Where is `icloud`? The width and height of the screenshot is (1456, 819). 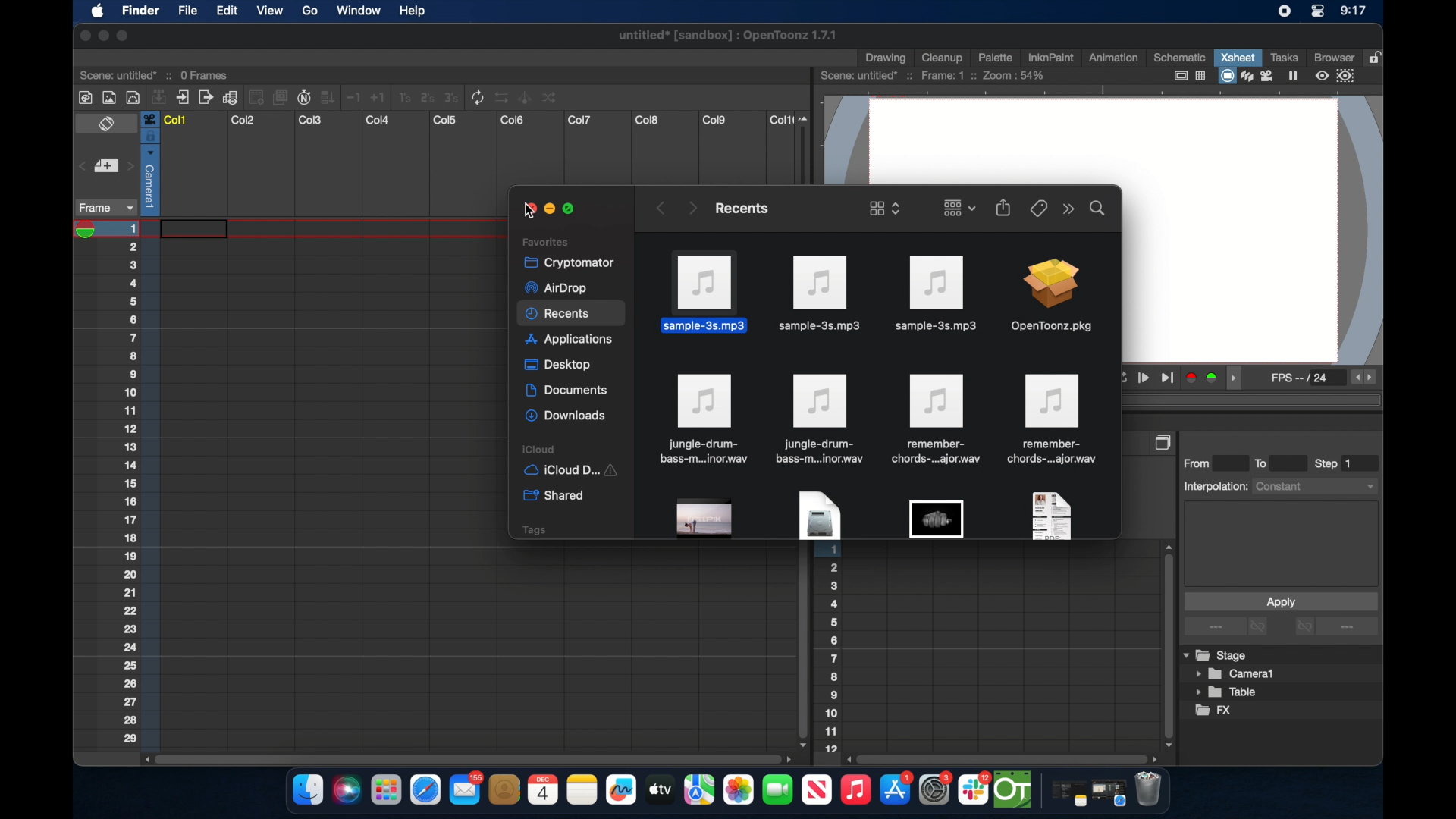
icloud is located at coordinates (575, 449).